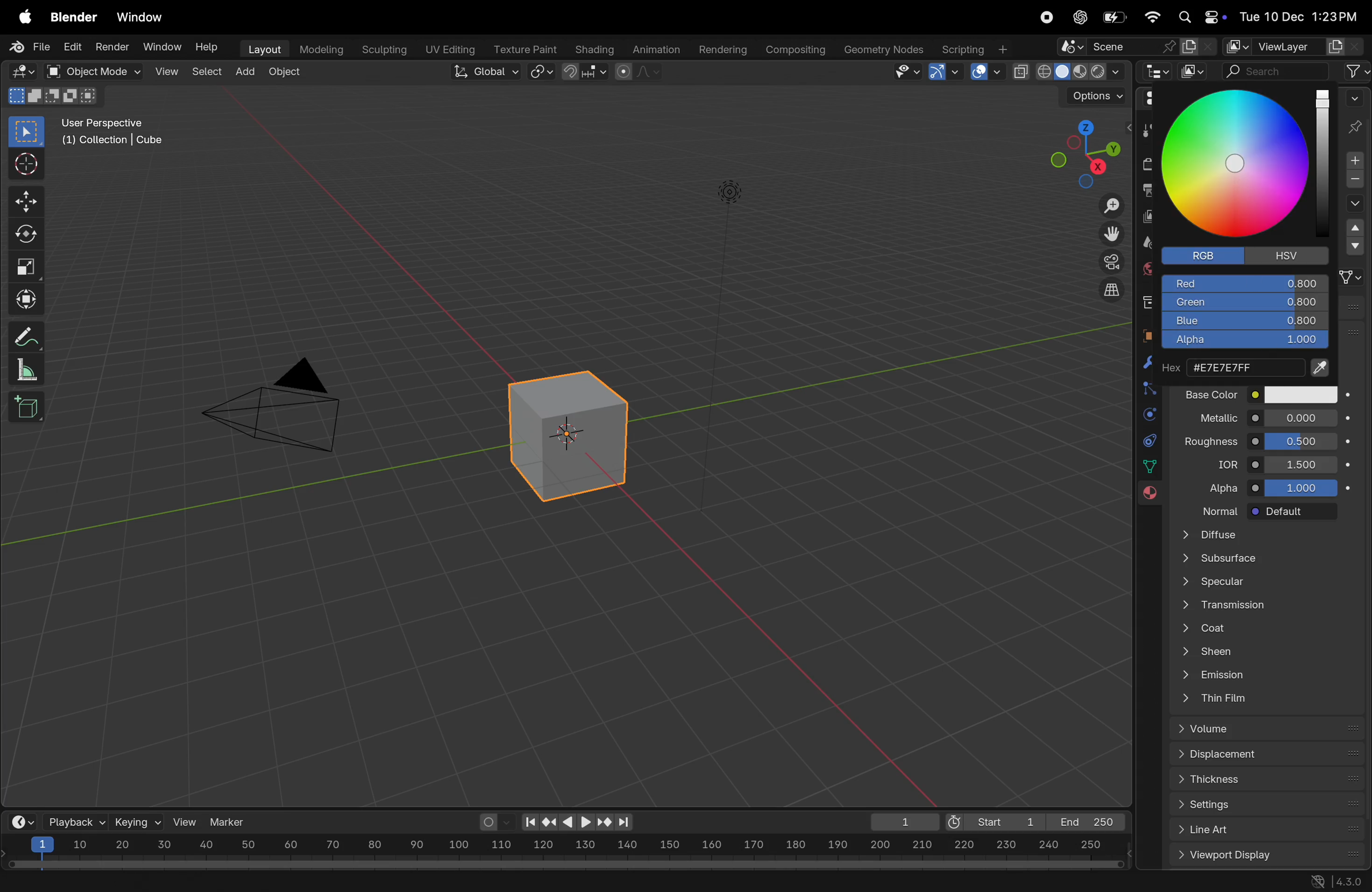 The height and width of the screenshot is (892, 1372). I want to click on thickness, so click(1269, 782).